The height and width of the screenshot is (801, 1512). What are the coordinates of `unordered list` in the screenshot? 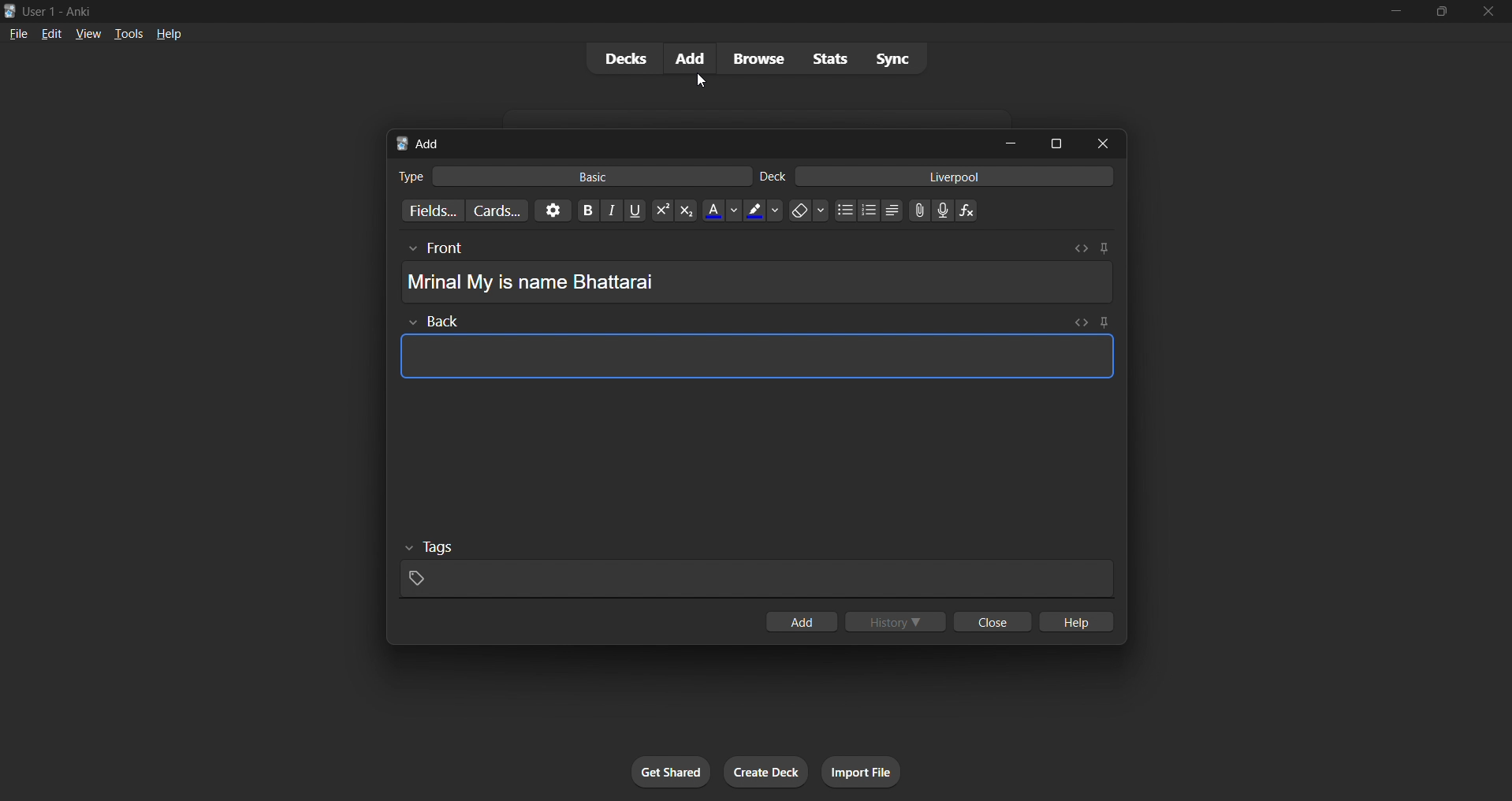 It's located at (843, 210).